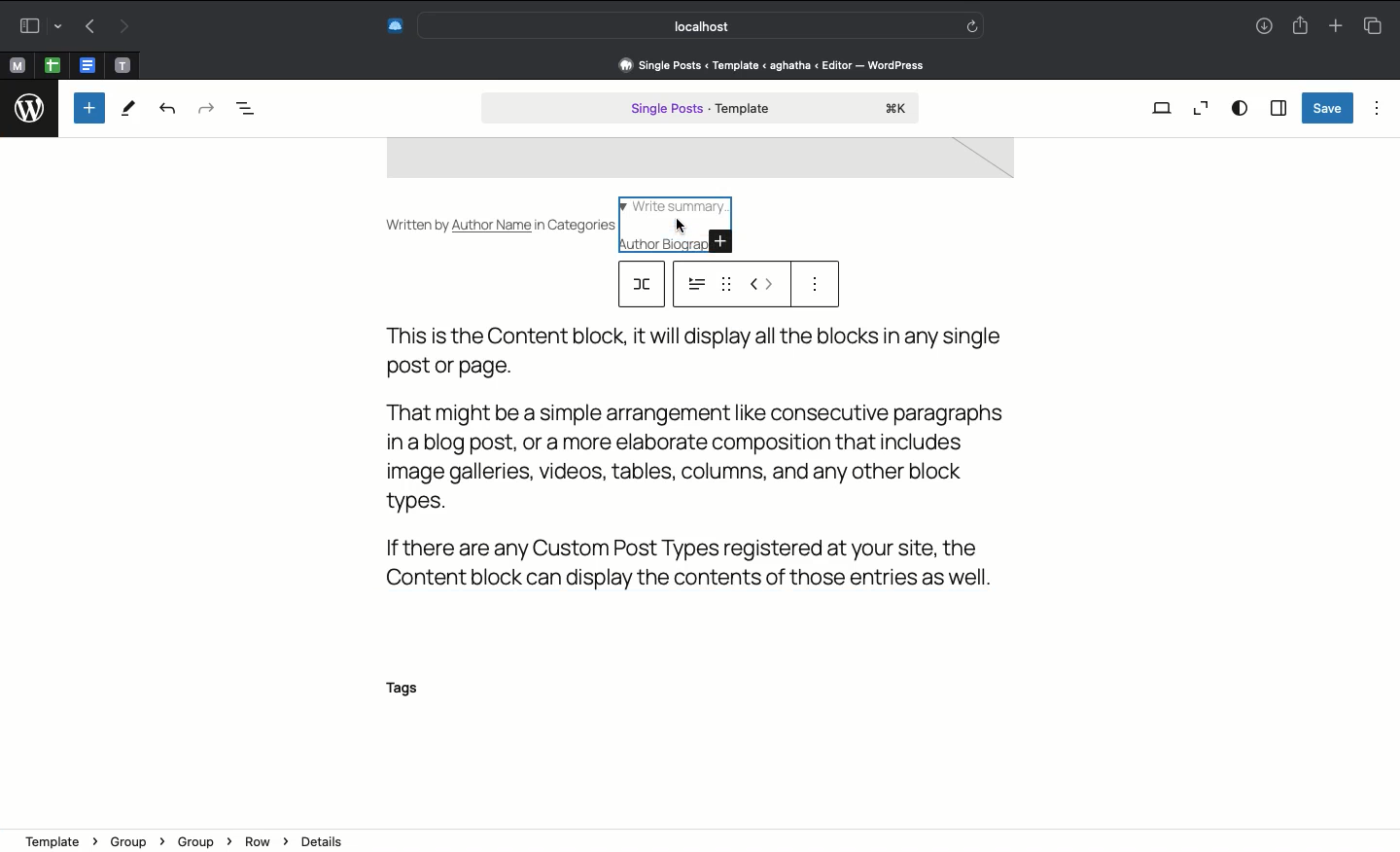  Describe the element at coordinates (1201, 108) in the screenshot. I see `Zoom out` at that location.